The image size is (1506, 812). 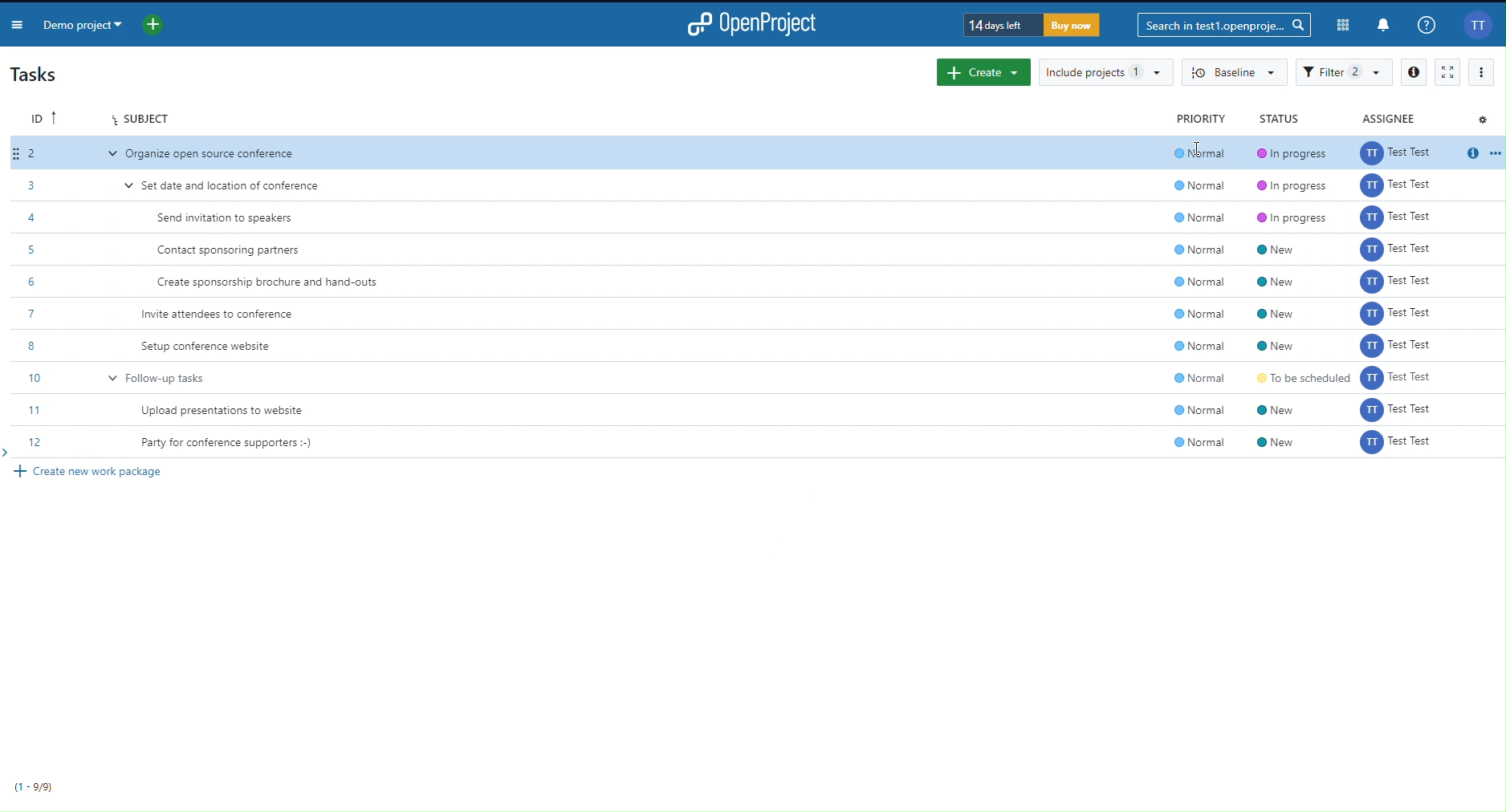 What do you see at coordinates (1482, 119) in the screenshot?
I see `Settings` at bounding box center [1482, 119].